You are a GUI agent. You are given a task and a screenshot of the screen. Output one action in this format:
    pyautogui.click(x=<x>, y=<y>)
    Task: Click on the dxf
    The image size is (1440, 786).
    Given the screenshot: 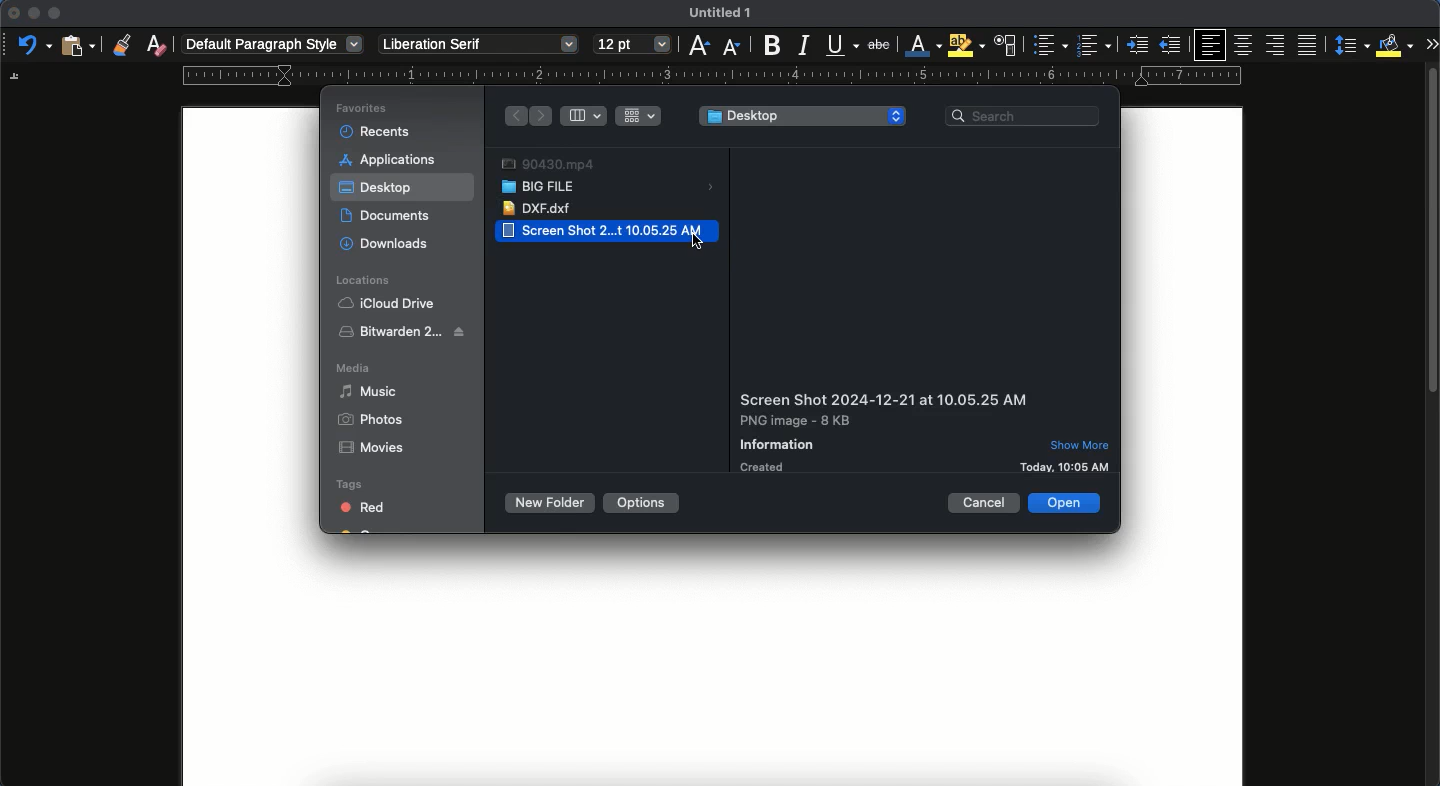 What is the action you would take?
    pyautogui.click(x=536, y=209)
    